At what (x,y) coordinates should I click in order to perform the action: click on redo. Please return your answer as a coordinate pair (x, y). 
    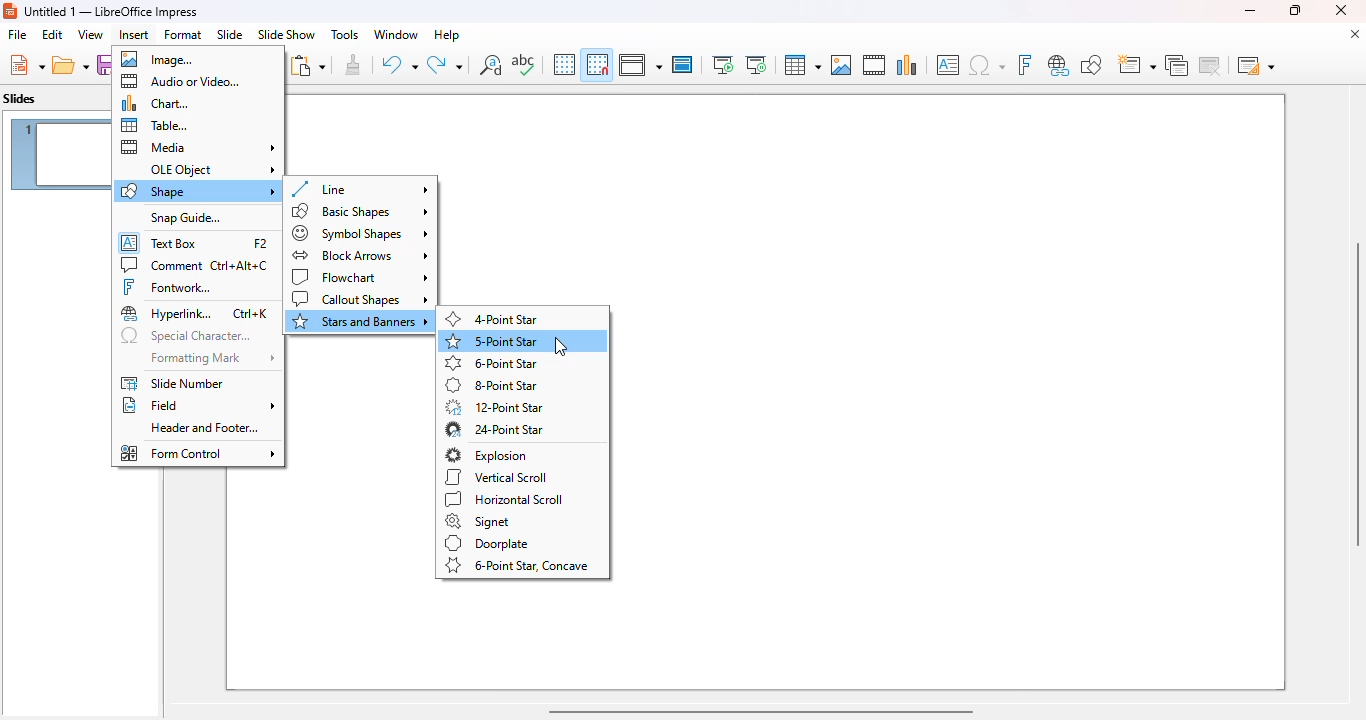
    Looking at the image, I should click on (445, 65).